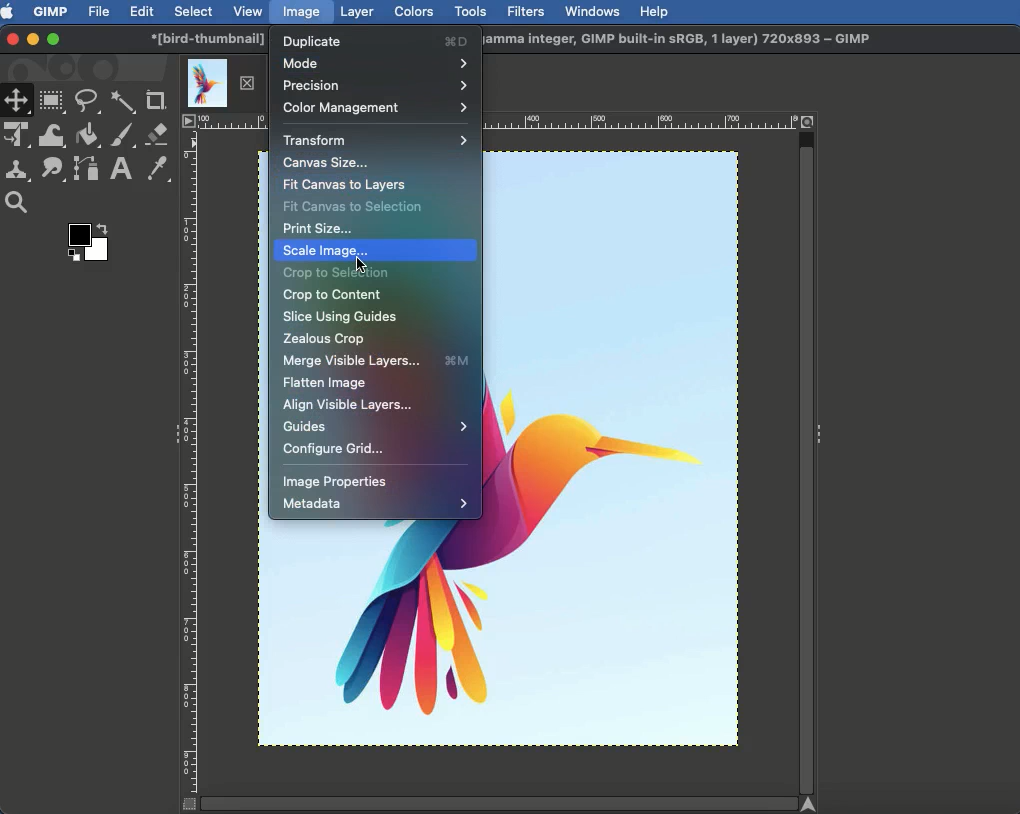 The height and width of the screenshot is (814, 1020). What do you see at coordinates (156, 100) in the screenshot?
I see `Crop` at bounding box center [156, 100].